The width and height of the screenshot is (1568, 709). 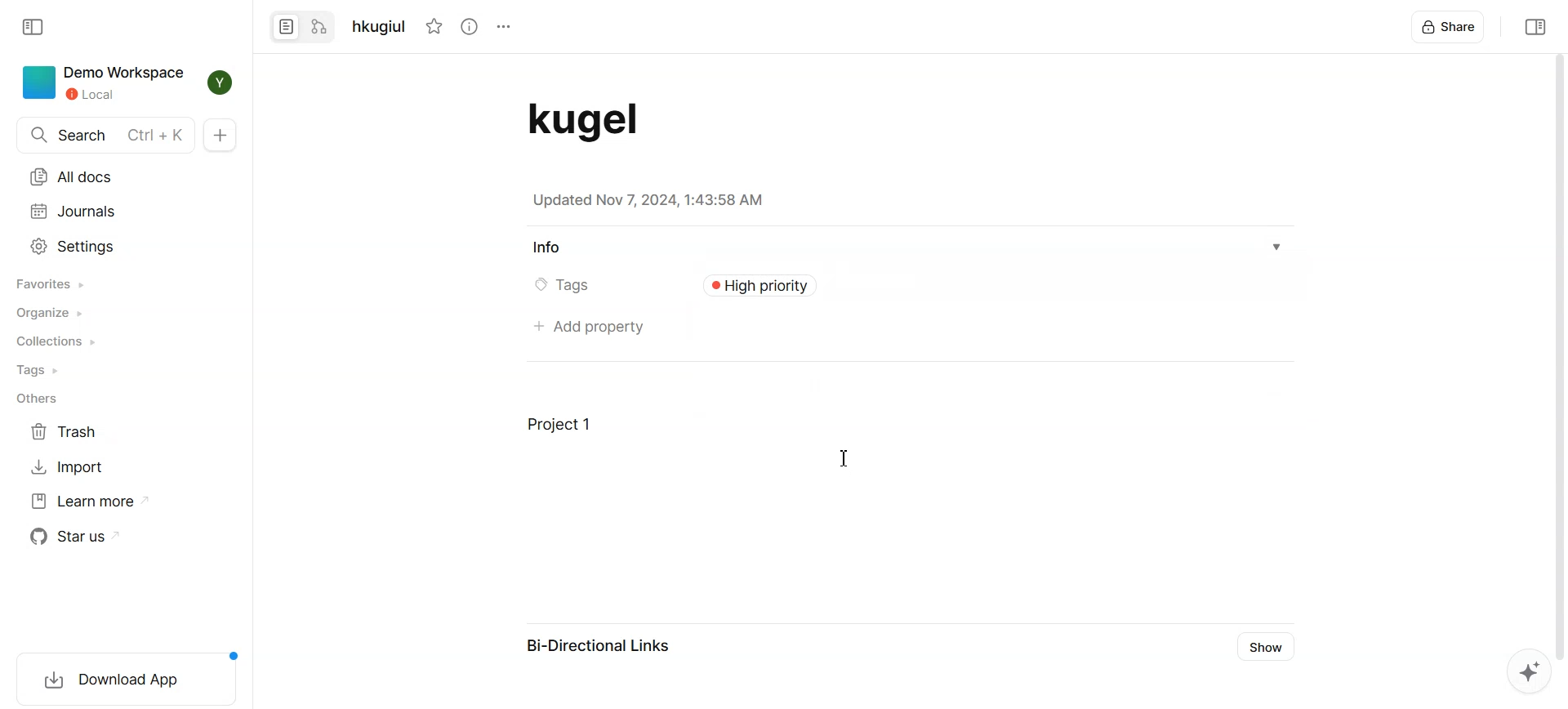 What do you see at coordinates (32, 28) in the screenshot?
I see `Collapse sidebar` at bounding box center [32, 28].